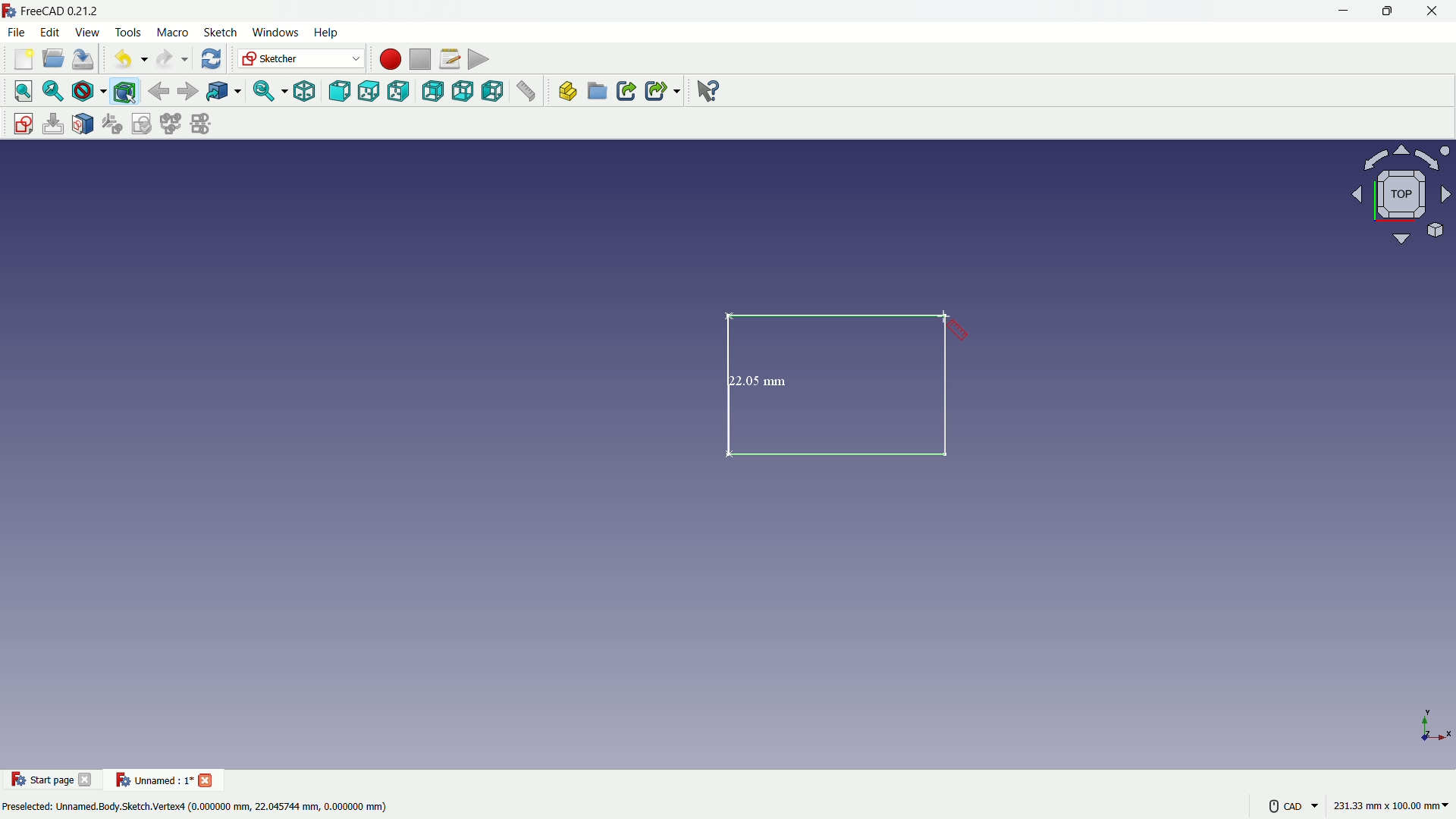 Image resolution: width=1456 pixels, height=819 pixels. Describe the element at coordinates (115, 124) in the screenshot. I see `reorient sketches` at that location.